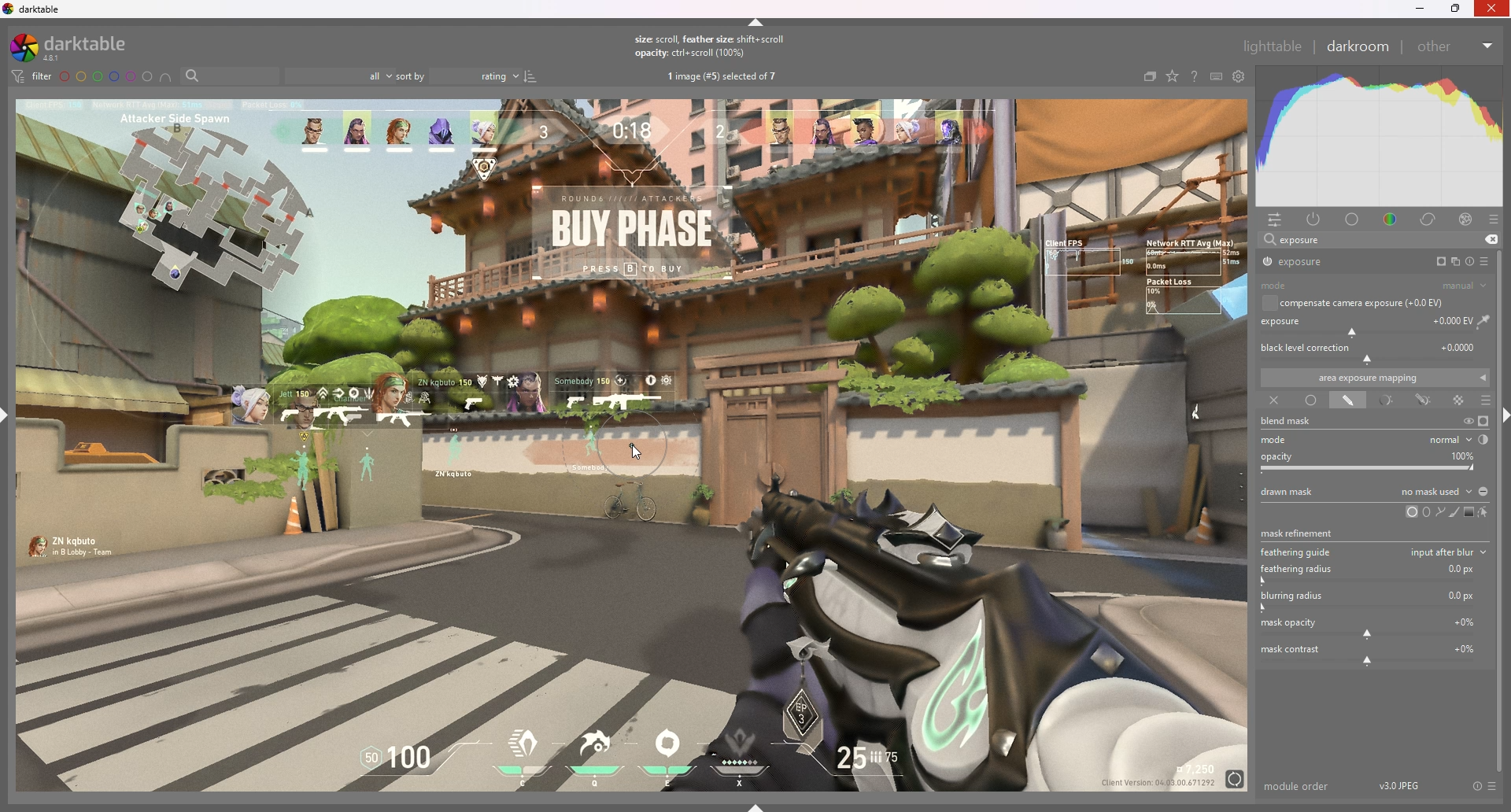 The width and height of the screenshot is (1511, 812). I want to click on feathuring, so click(1372, 573).